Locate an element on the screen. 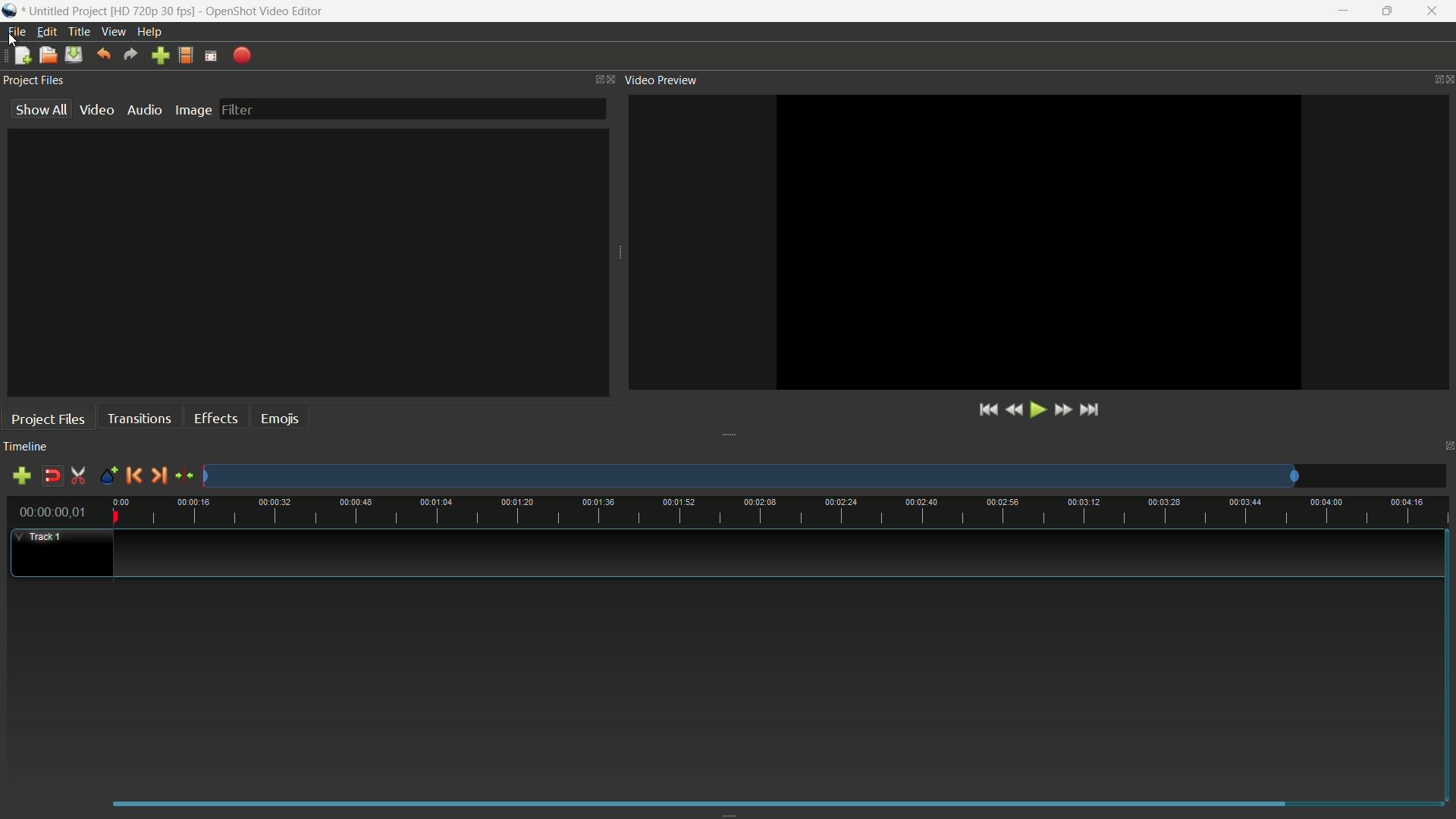  export is located at coordinates (242, 56).